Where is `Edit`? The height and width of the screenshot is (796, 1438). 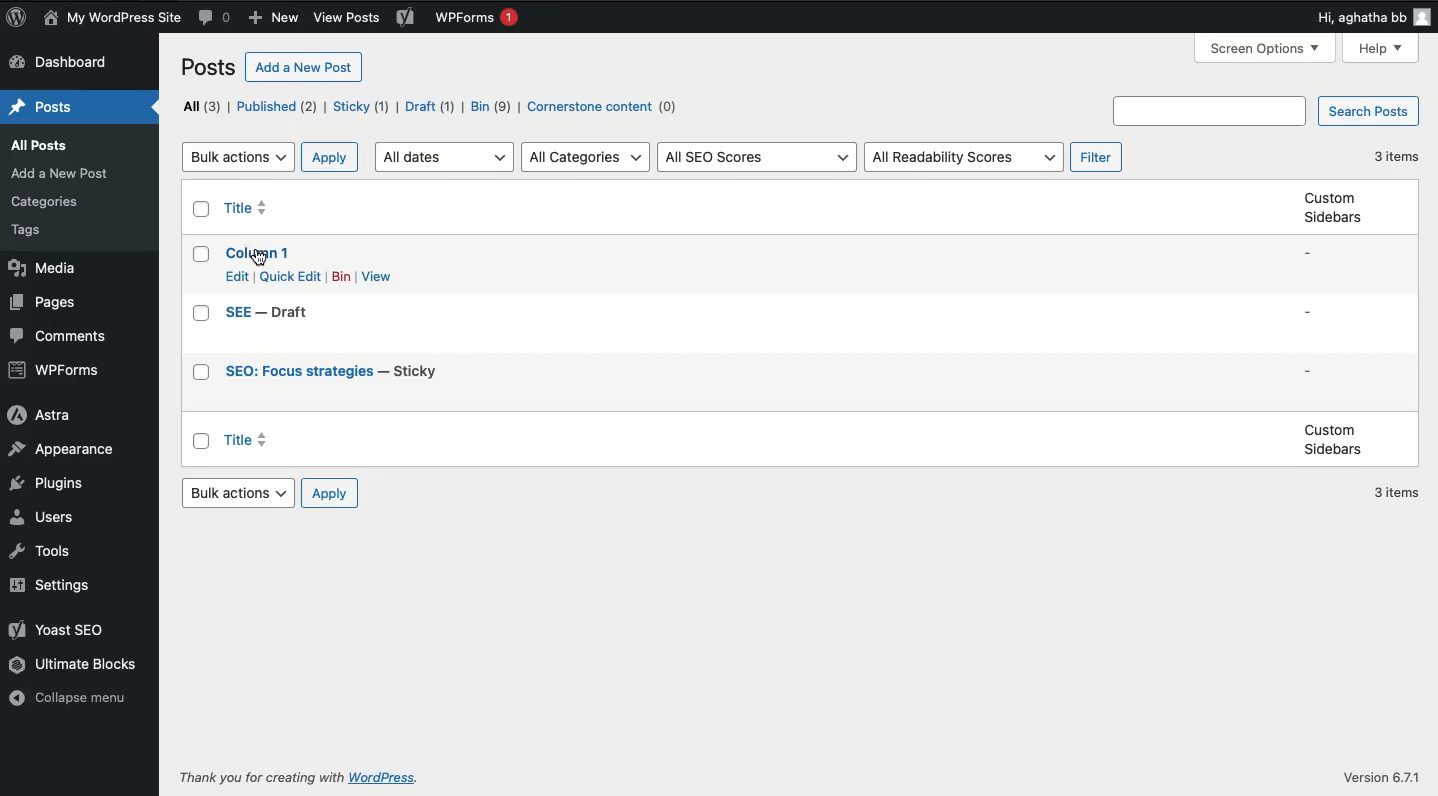
Edit is located at coordinates (236, 275).